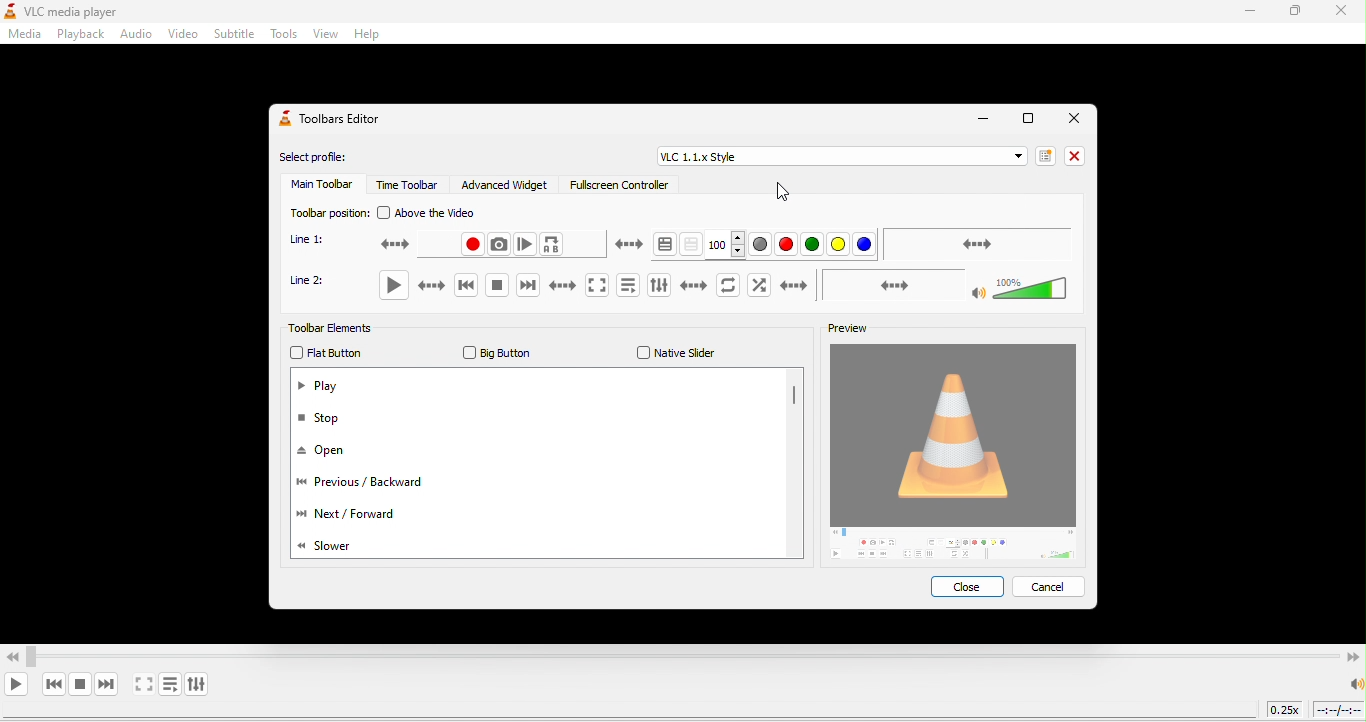 This screenshot has width=1366, height=722. Describe the element at coordinates (727, 244) in the screenshot. I see `100` at that location.